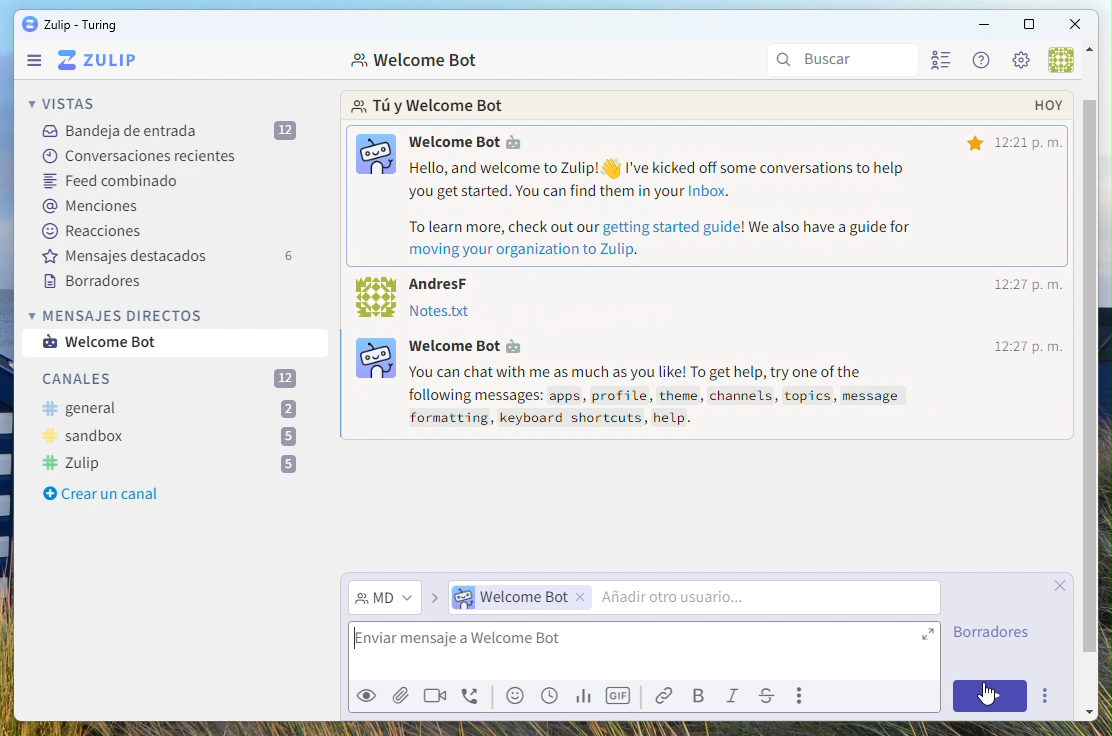  Describe the element at coordinates (97, 61) in the screenshot. I see `Zulip logo` at that location.